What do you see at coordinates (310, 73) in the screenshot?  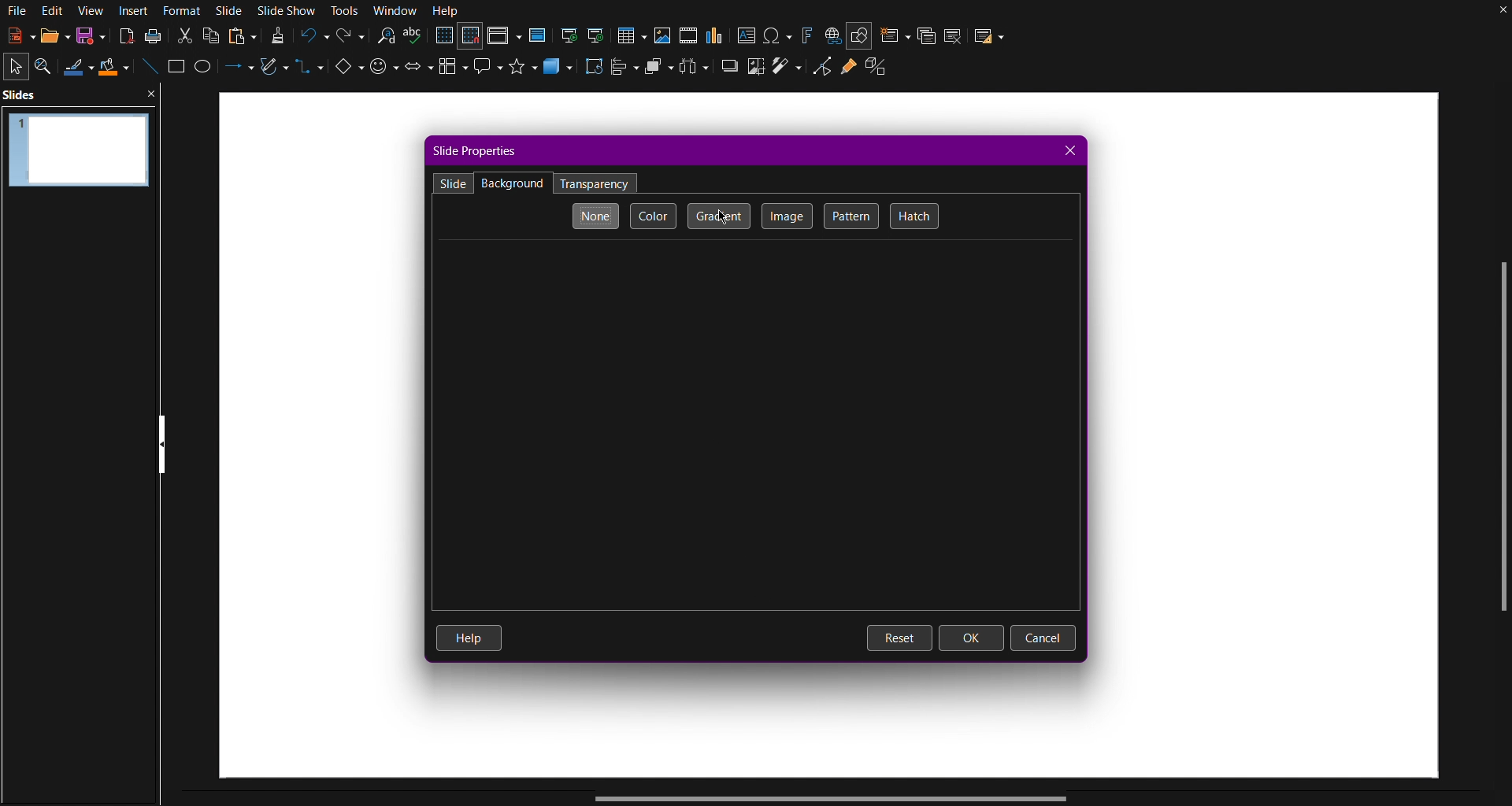 I see `Connectors` at bounding box center [310, 73].